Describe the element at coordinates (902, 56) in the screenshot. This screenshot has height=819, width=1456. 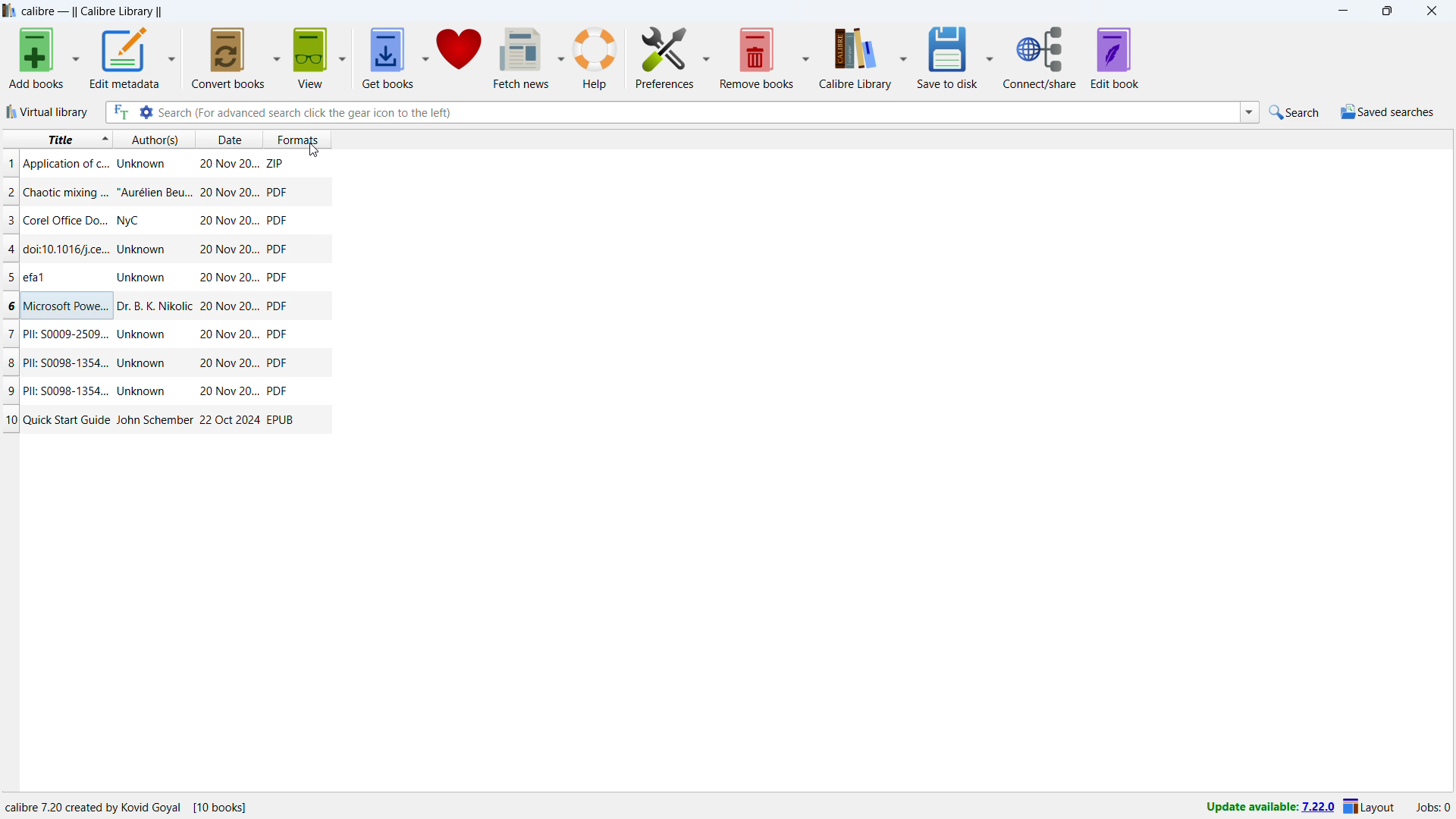
I see `calibre library options` at that location.